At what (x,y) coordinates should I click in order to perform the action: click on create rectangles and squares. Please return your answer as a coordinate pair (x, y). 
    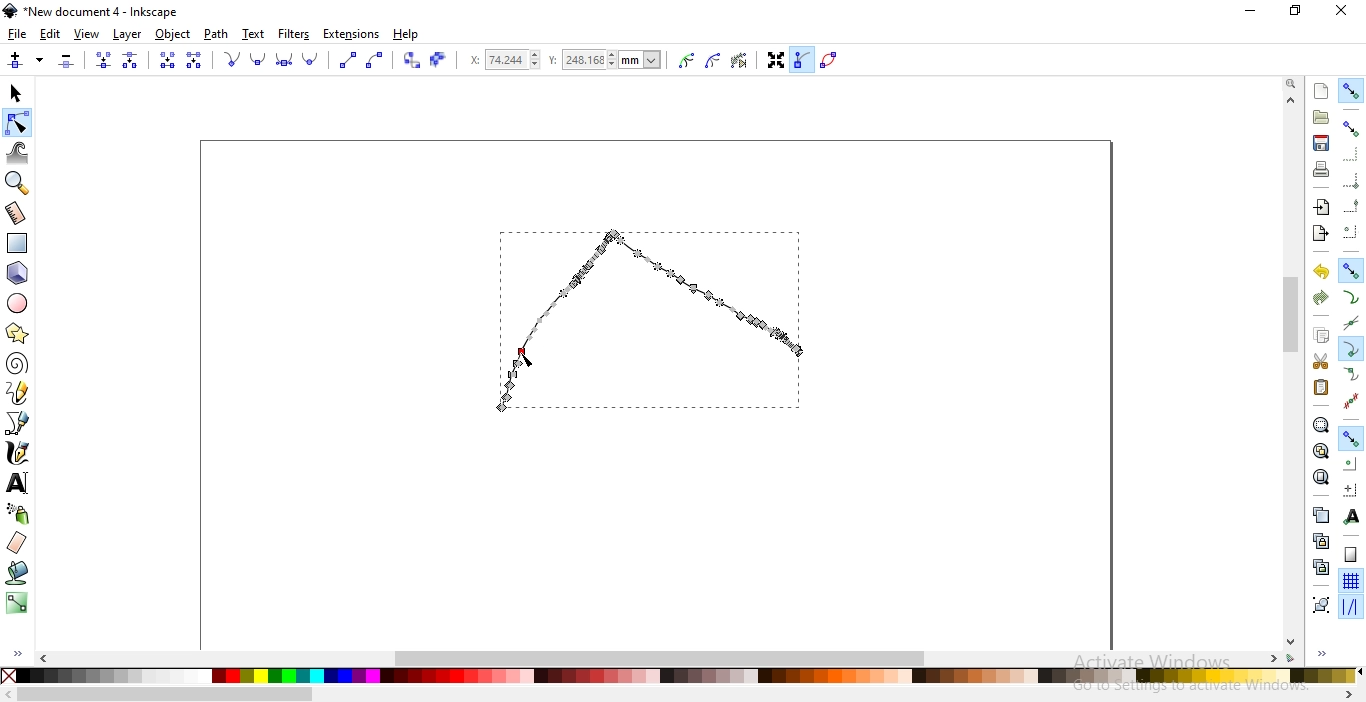
    Looking at the image, I should click on (16, 243).